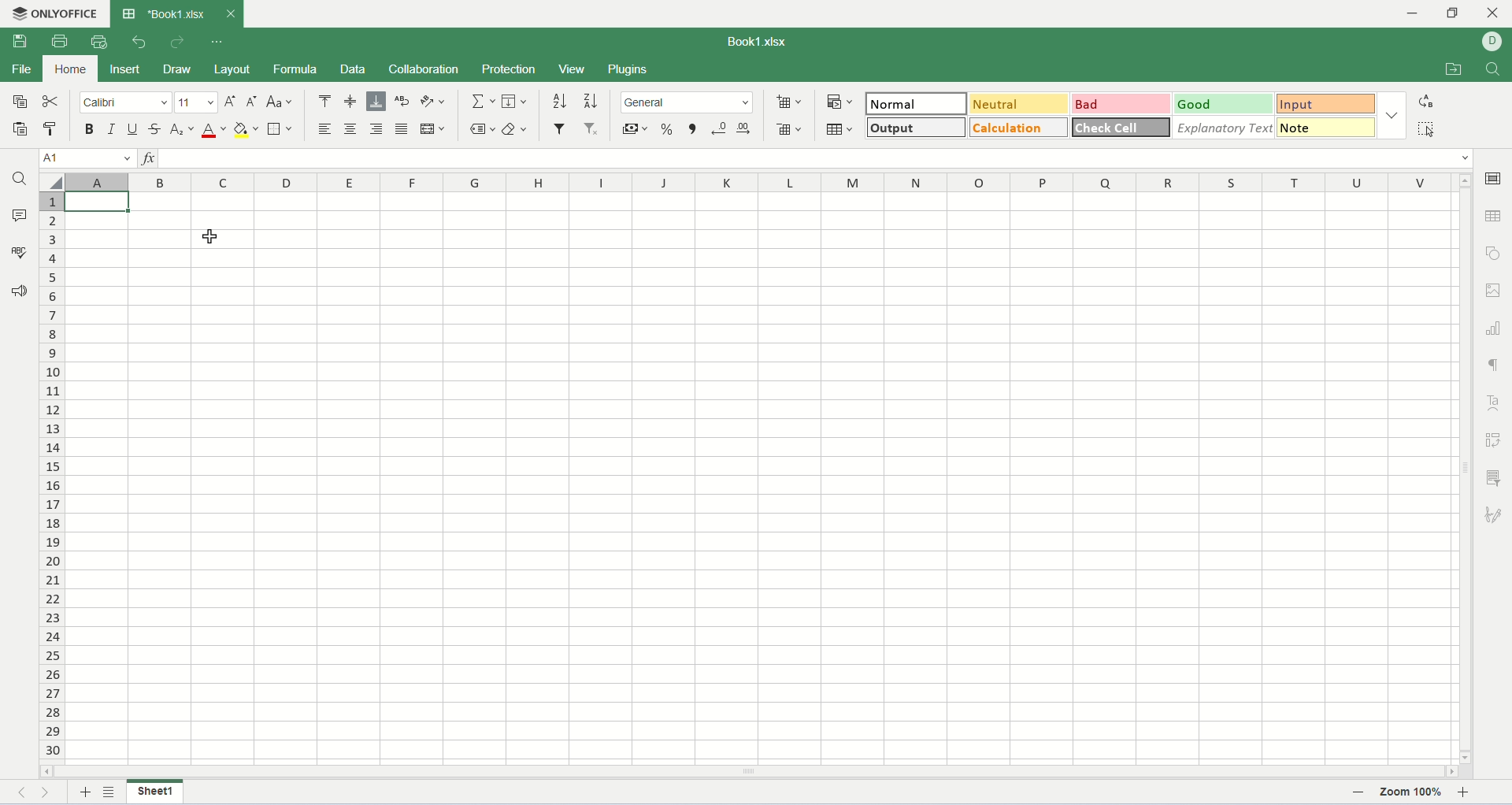 This screenshot has width=1512, height=805. Describe the element at coordinates (27, 792) in the screenshot. I see `previous` at that location.